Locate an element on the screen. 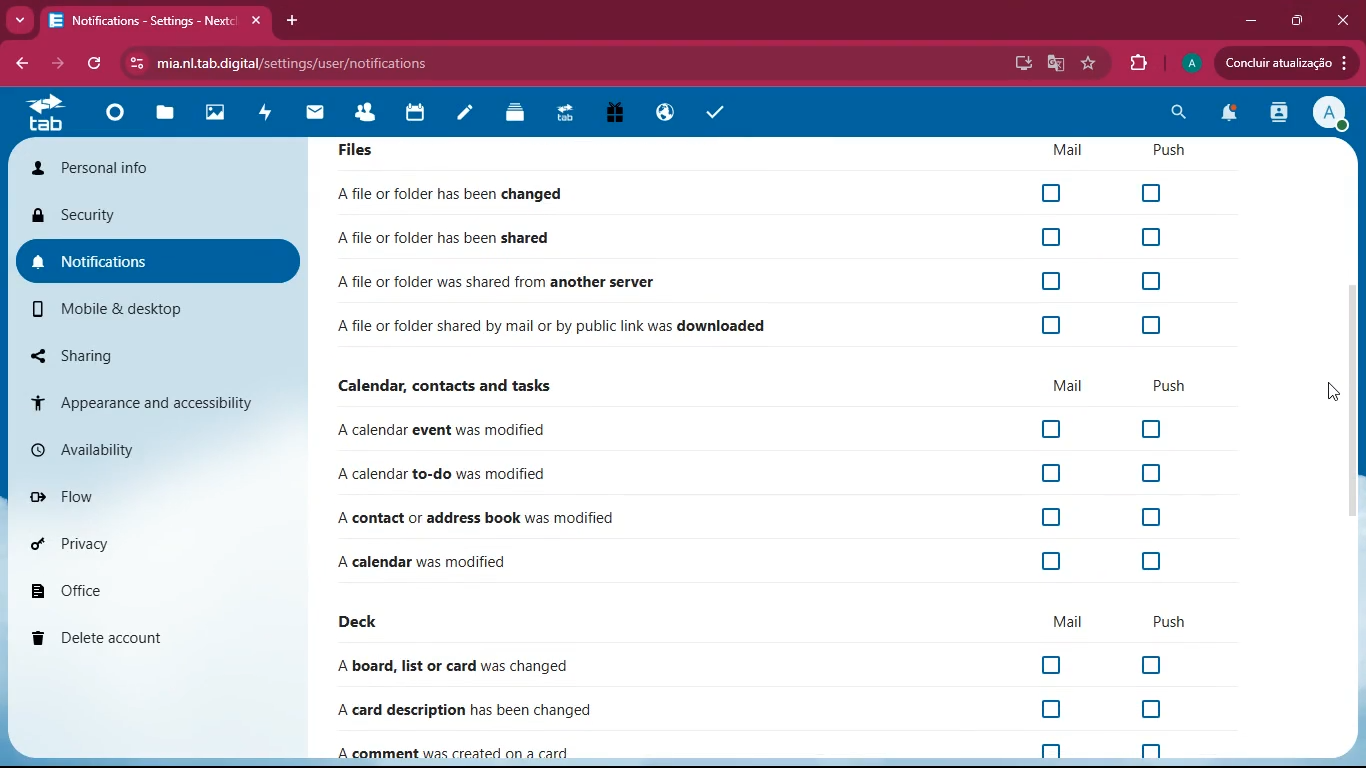  activity is located at coordinates (1281, 114).